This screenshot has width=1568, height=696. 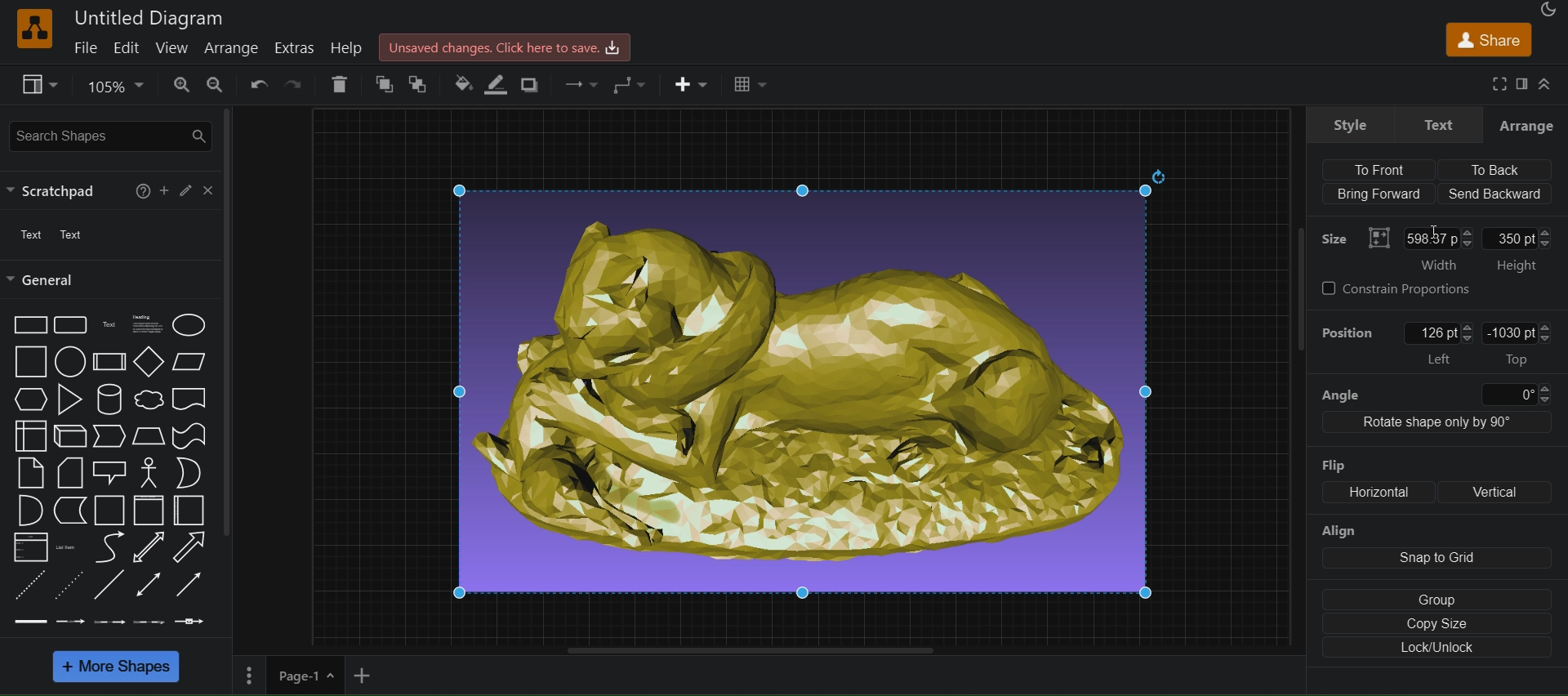 I want to click on Unsaved changes.Click here to save., so click(x=508, y=47).